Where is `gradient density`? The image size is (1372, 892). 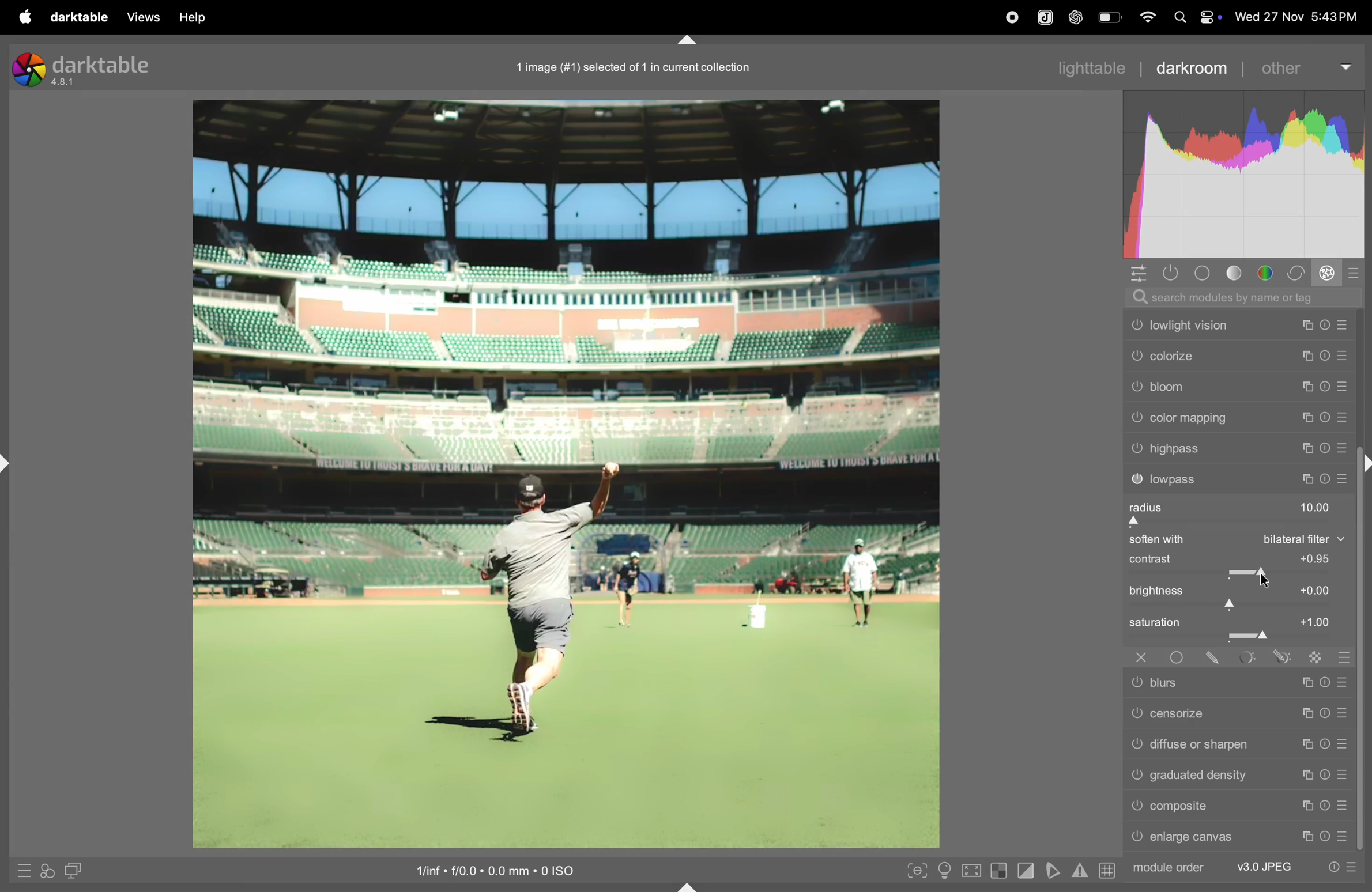
gradient density is located at coordinates (1238, 774).